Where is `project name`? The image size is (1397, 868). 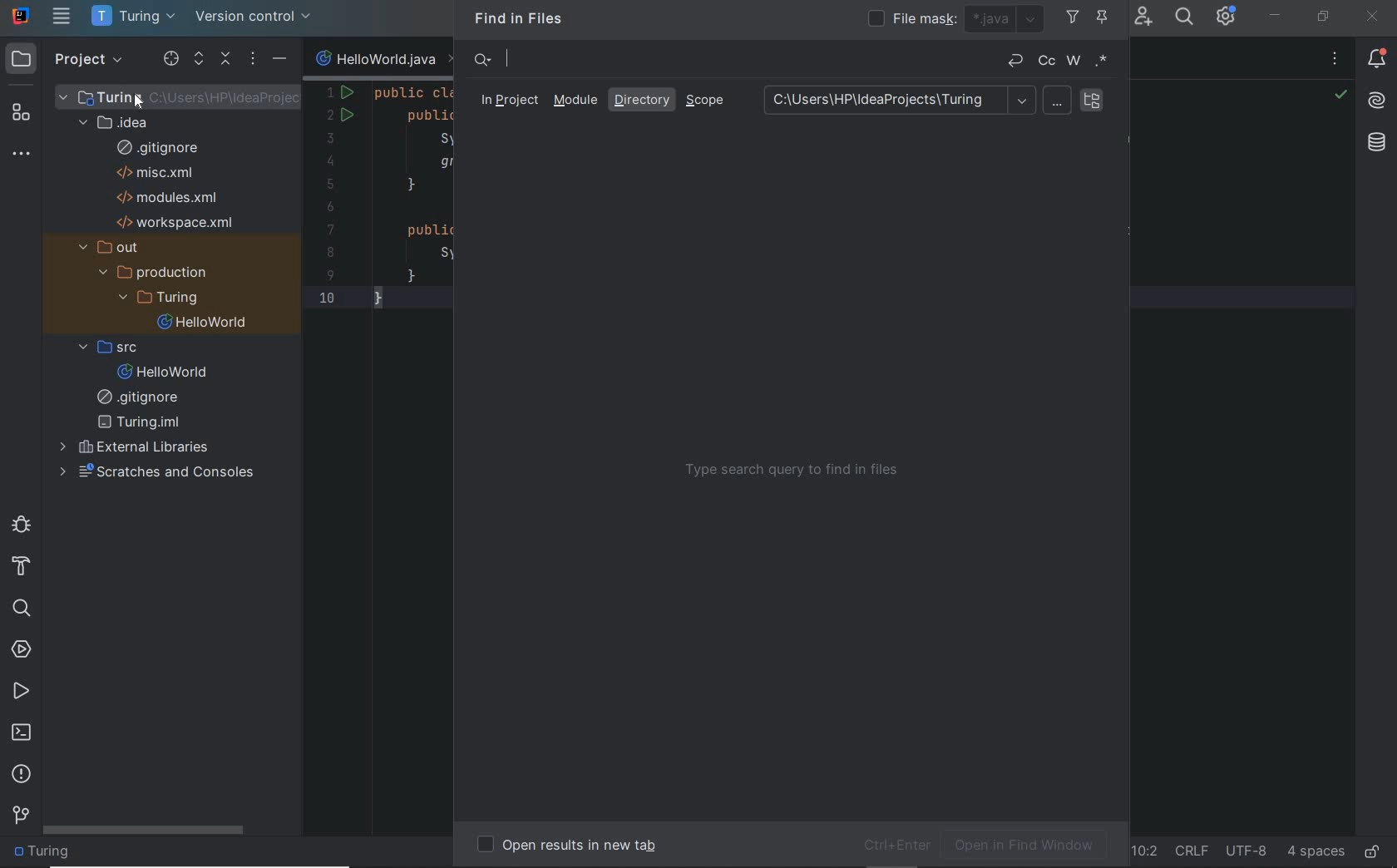 project name is located at coordinates (135, 17).